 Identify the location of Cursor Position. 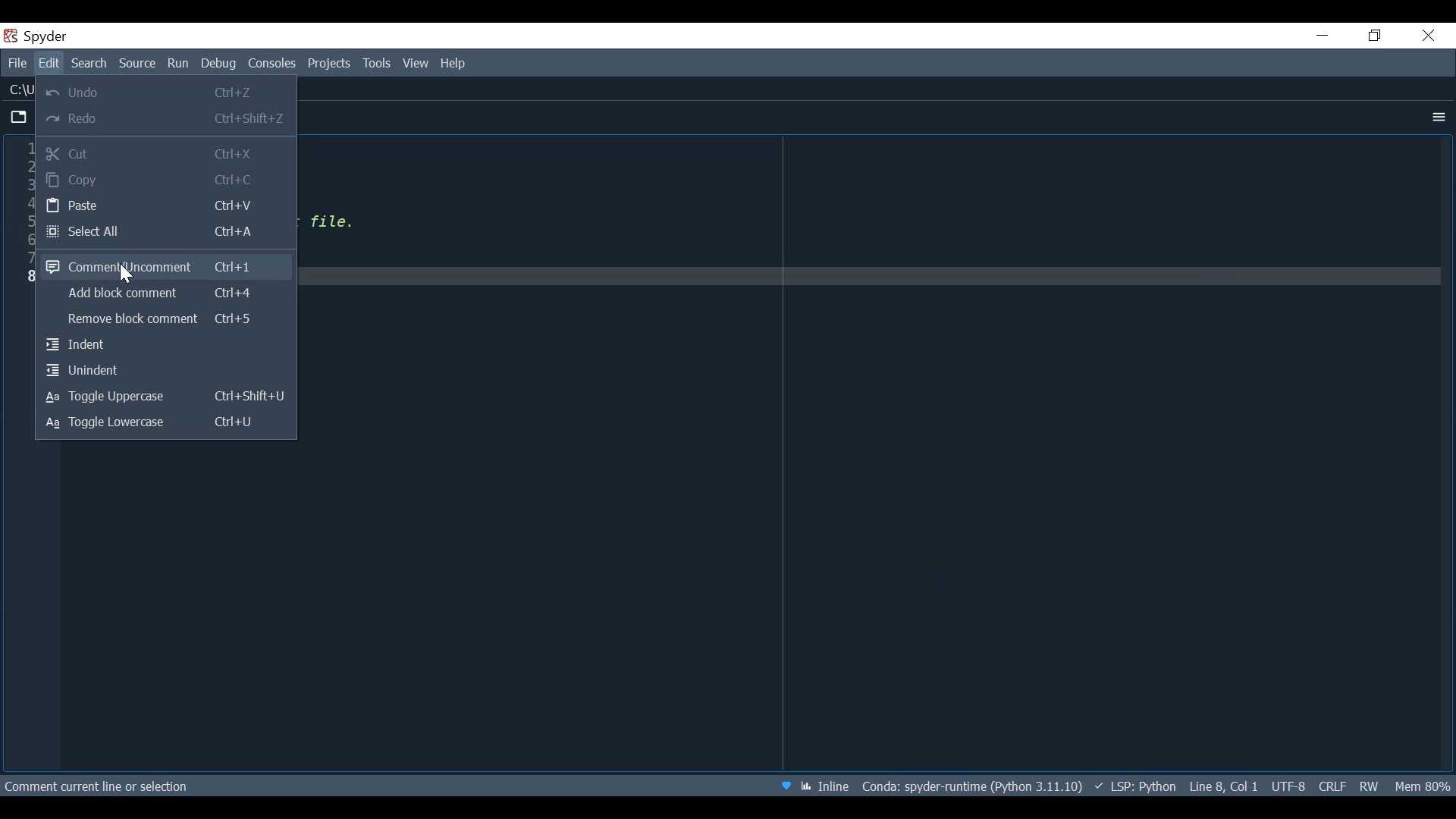
(1225, 786).